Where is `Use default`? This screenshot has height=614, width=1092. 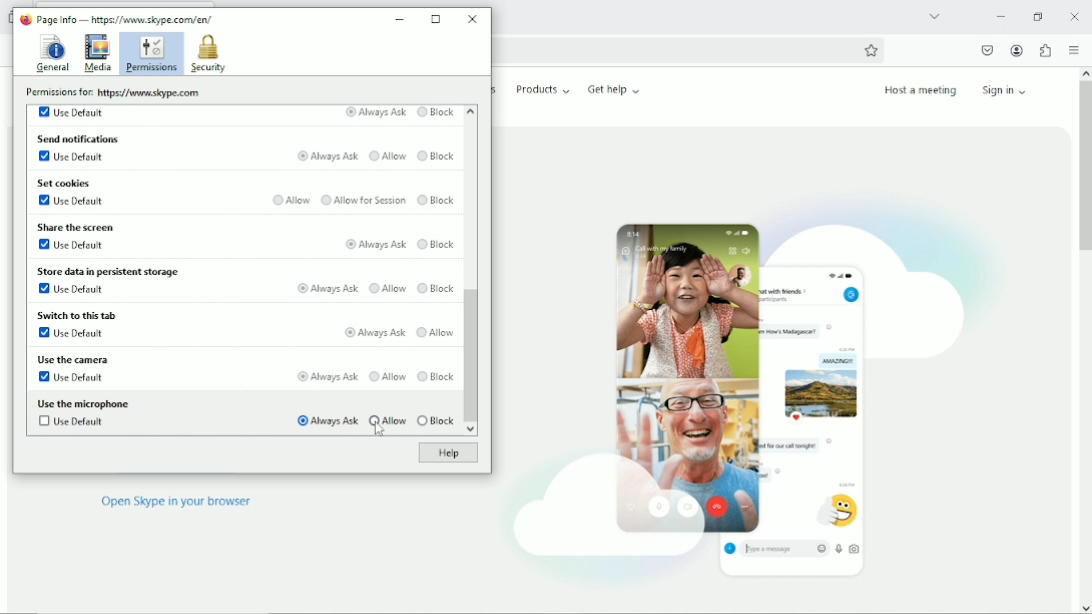
Use default is located at coordinates (74, 112).